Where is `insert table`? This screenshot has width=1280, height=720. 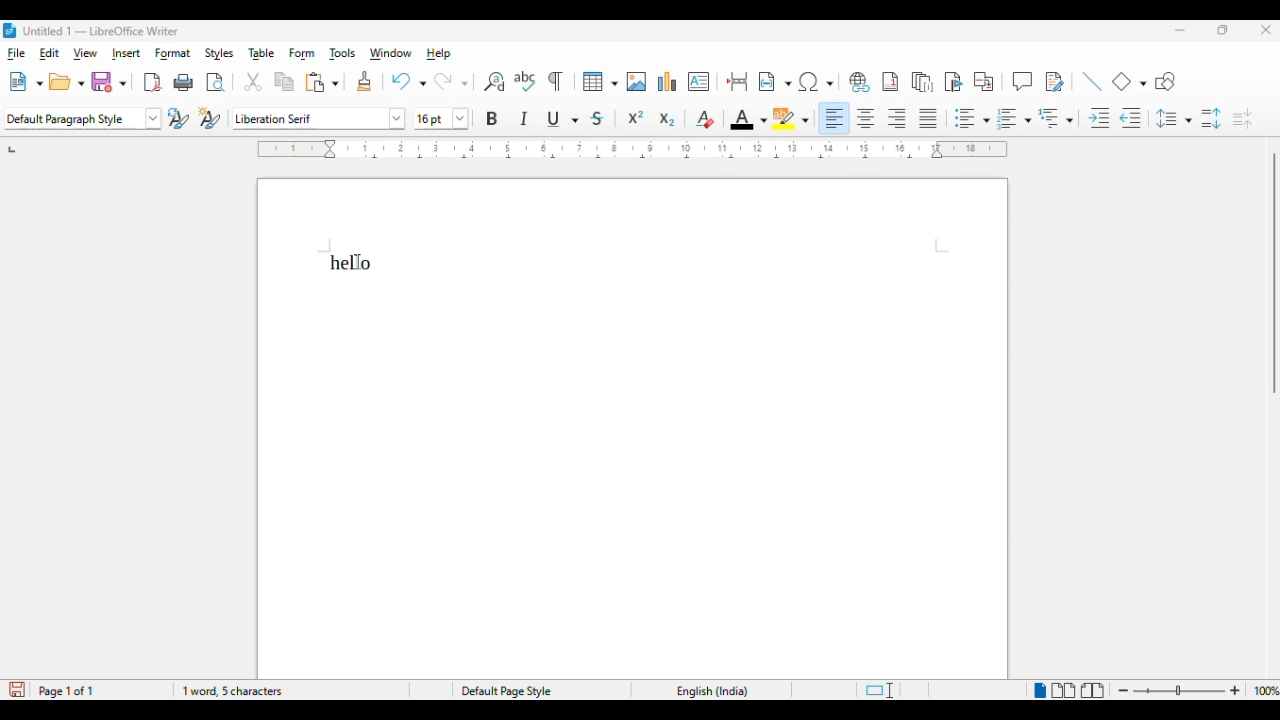 insert table is located at coordinates (600, 82).